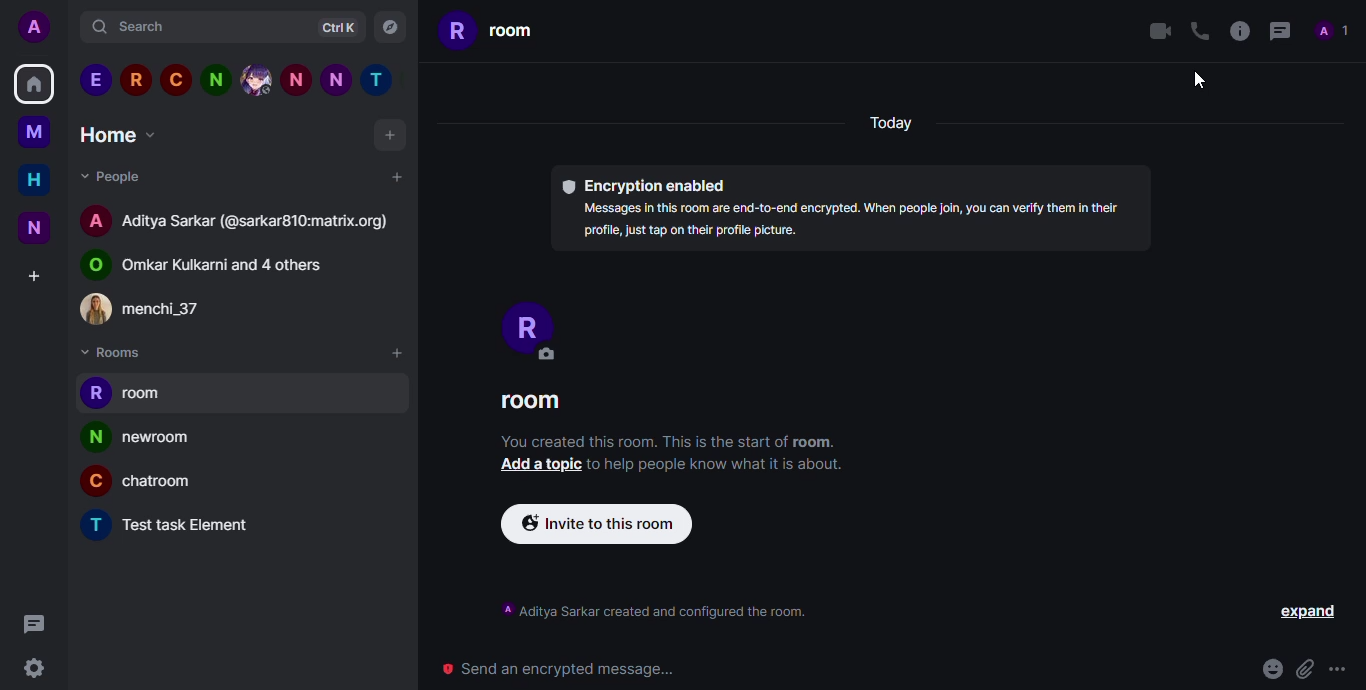 This screenshot has height=690, width=1366. What do you see at coordinates (1334, 32) in the screenshot?
I see `people` at bounding box center [1334, 32].